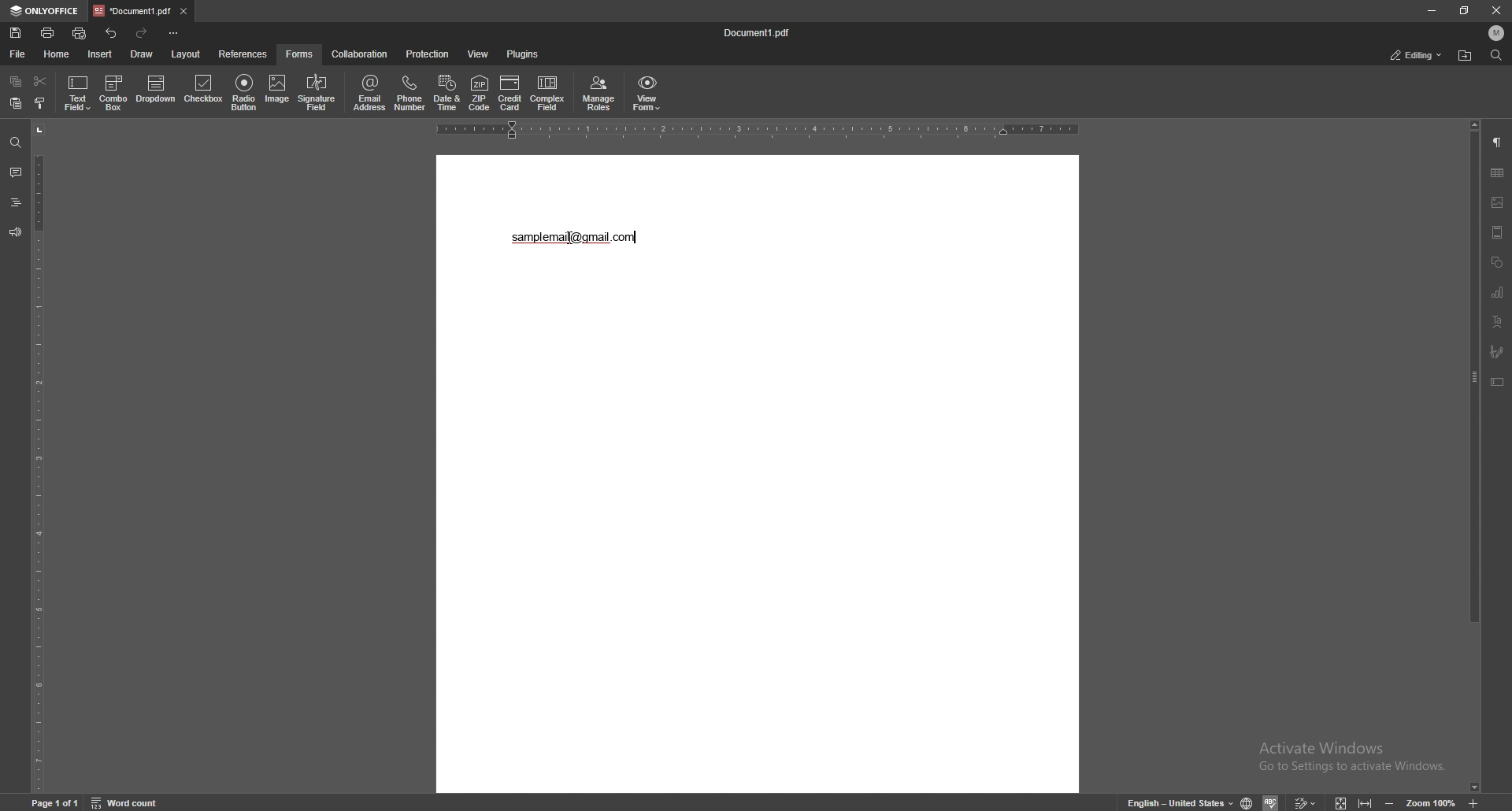  I want to click on email address, so click(371, 92).